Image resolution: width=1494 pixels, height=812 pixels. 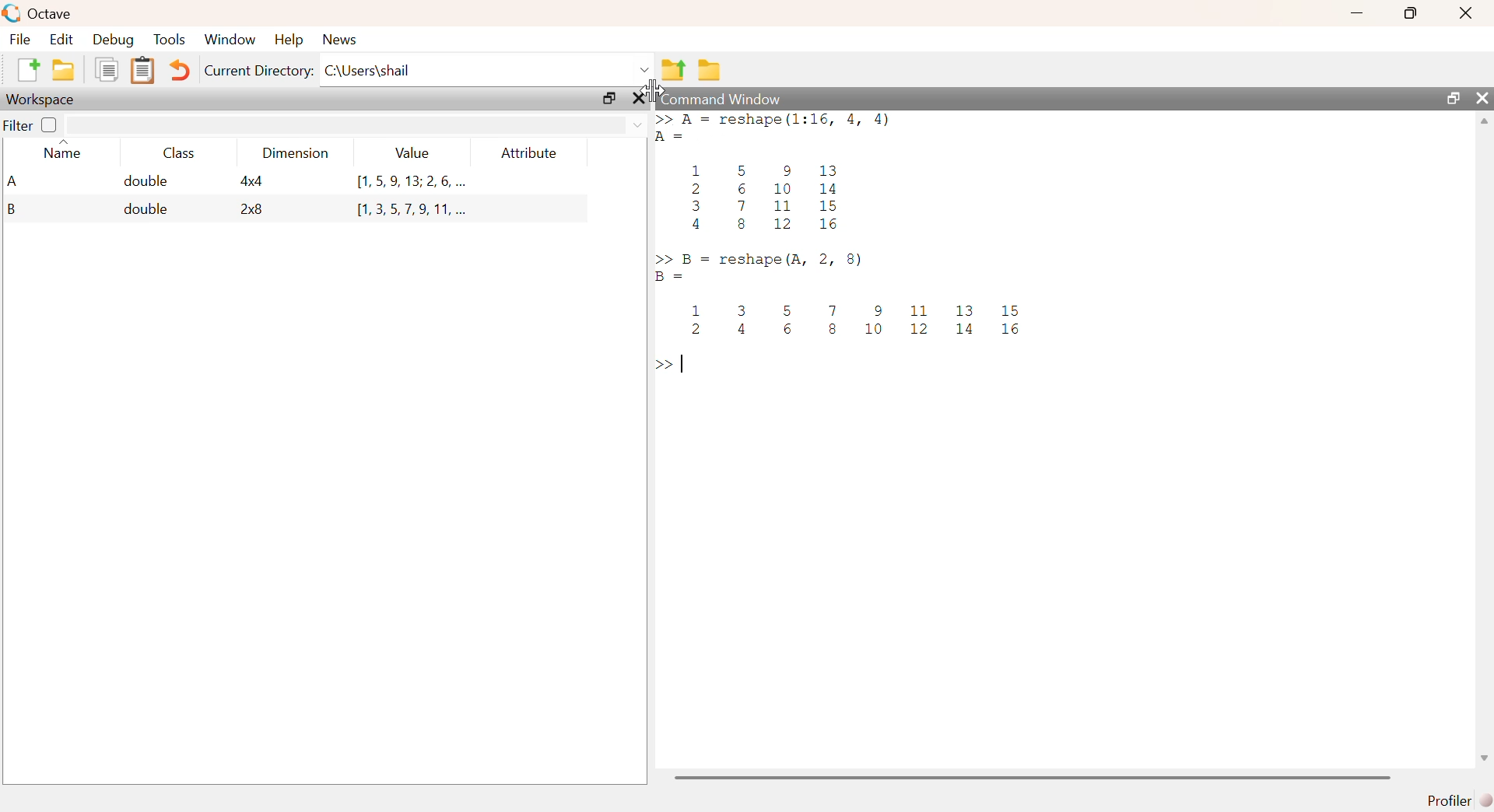 What do you see at coordinates (686, 365) in the screenshot?
I see `text cursor` at bounding box center [686, 365].